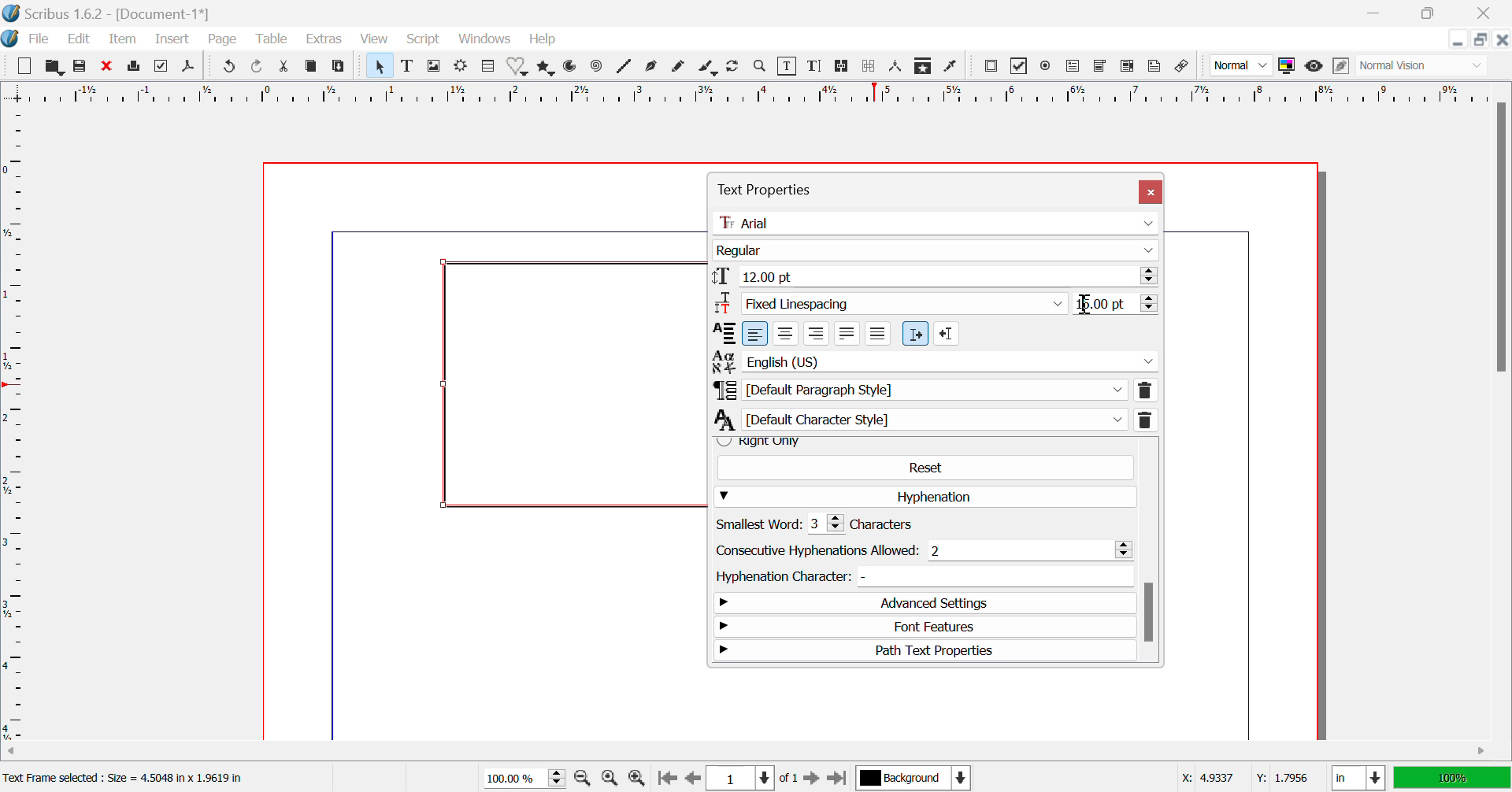 The height and width of the screenshot is (792, 1512). What do you see at coordinates (1341, 68) in the screenshot?
I see `Edit in Preview Mode` at bounding box center [1341, 68].